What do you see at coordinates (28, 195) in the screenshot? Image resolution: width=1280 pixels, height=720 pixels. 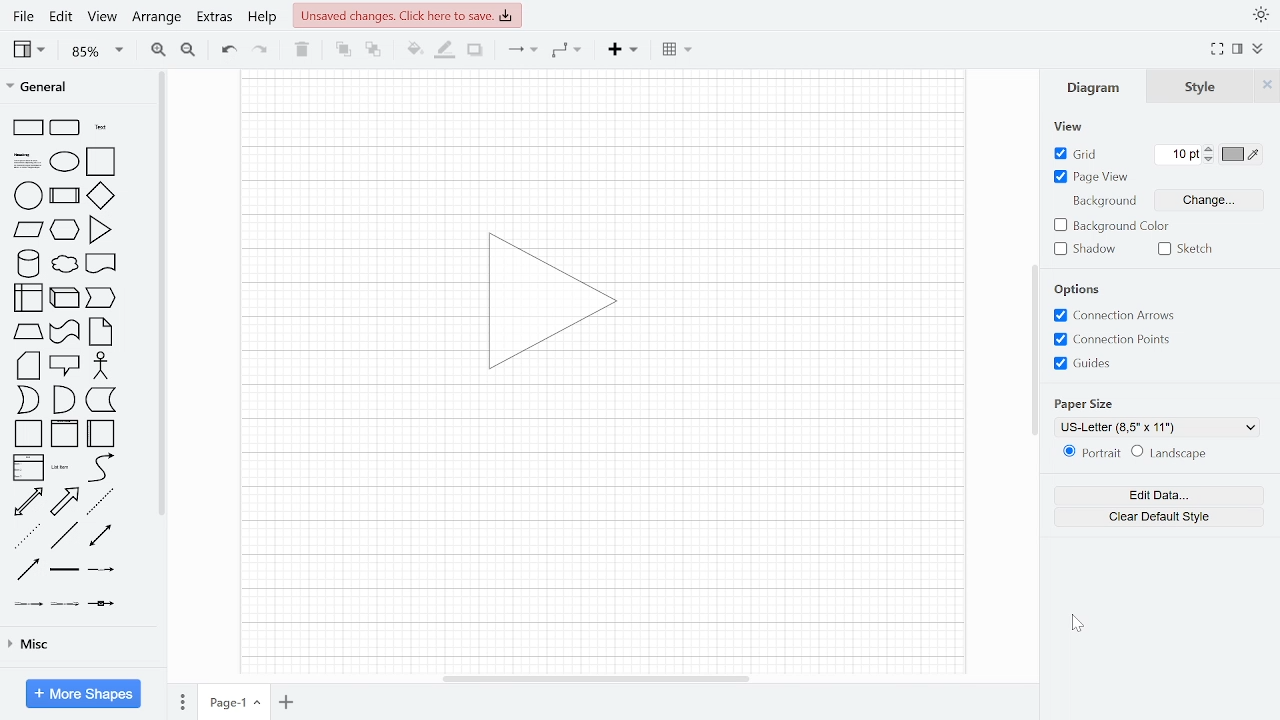 I see `Circle` at bounding box center [28, 195].